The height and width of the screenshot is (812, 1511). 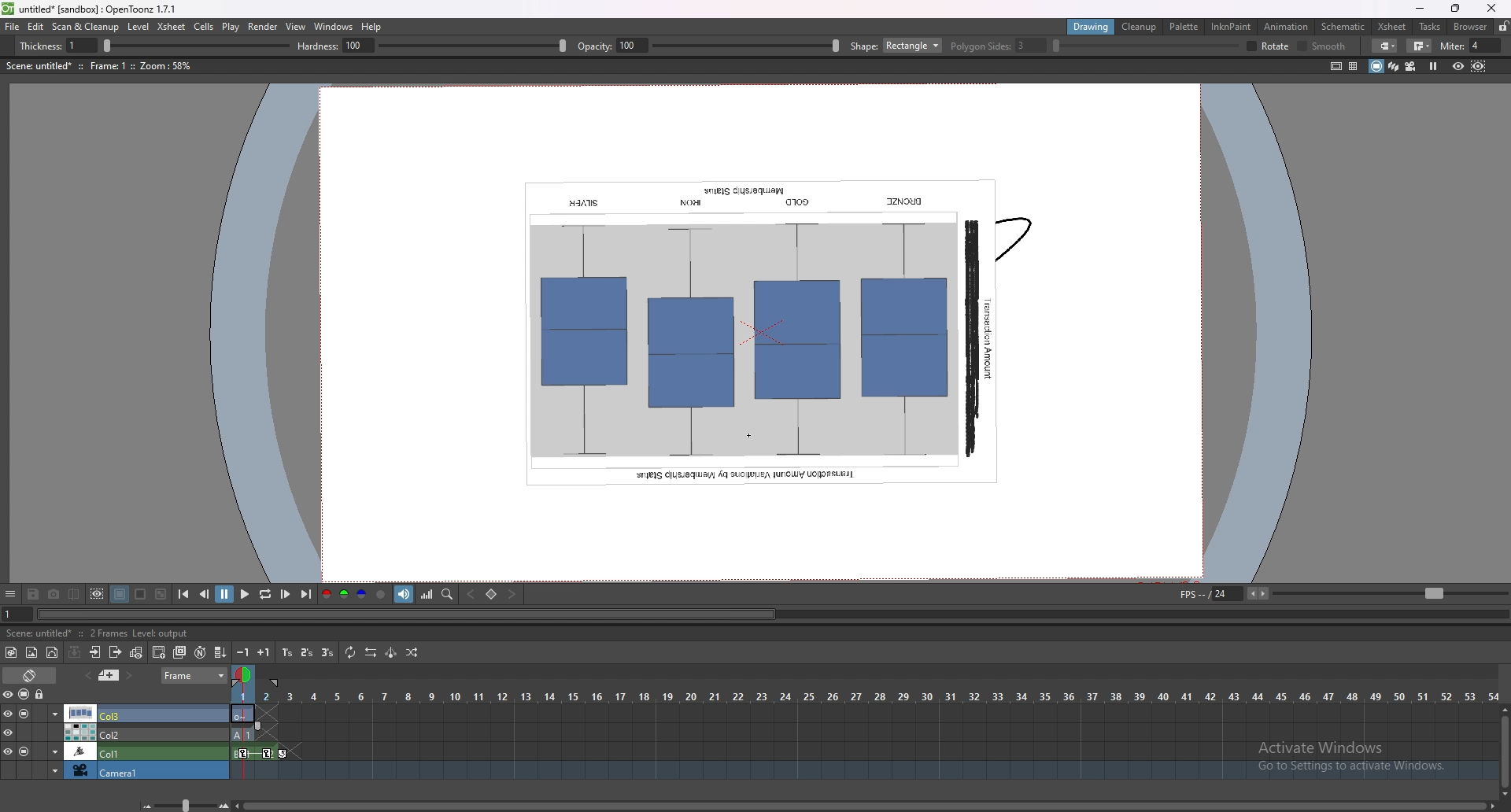 What do you see at coordinates (1419, 46) in the screenshot?
I see `join` at bounding box center [1419, 46].